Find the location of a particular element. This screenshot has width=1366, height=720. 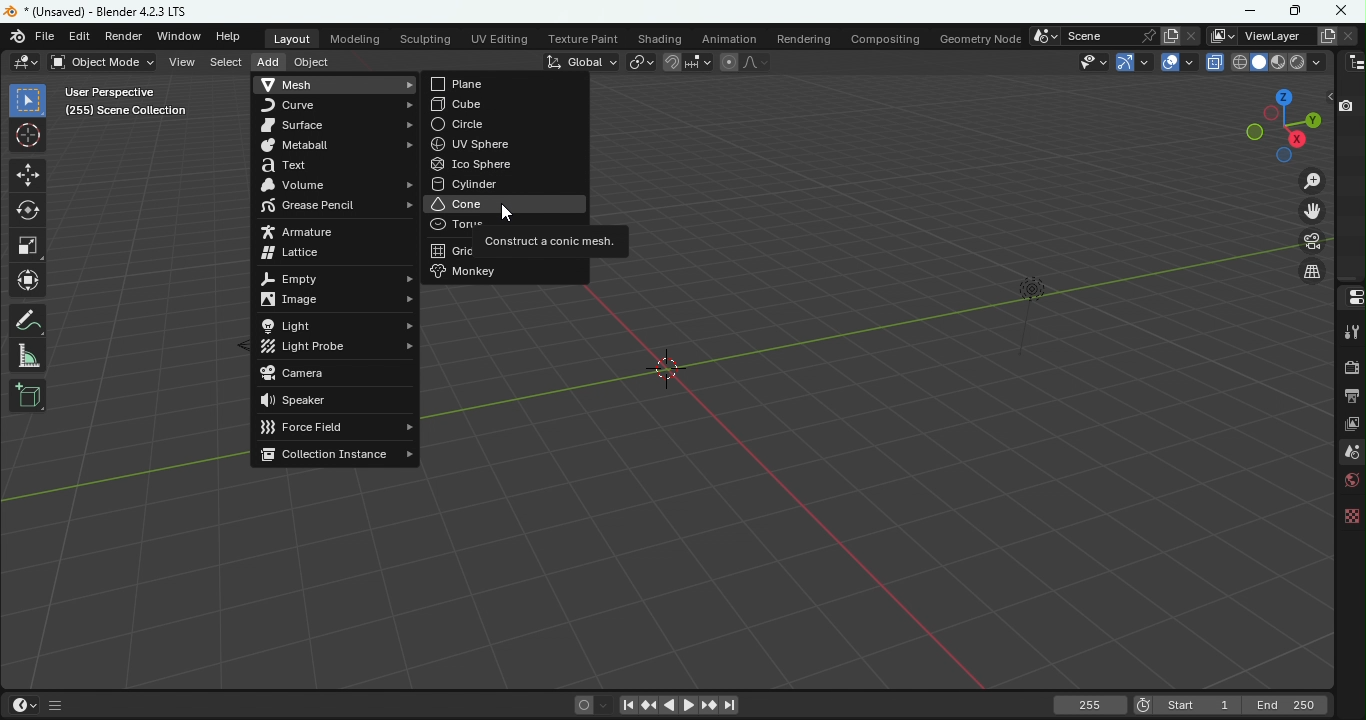

Tool is located at coordinates (1351, 330).